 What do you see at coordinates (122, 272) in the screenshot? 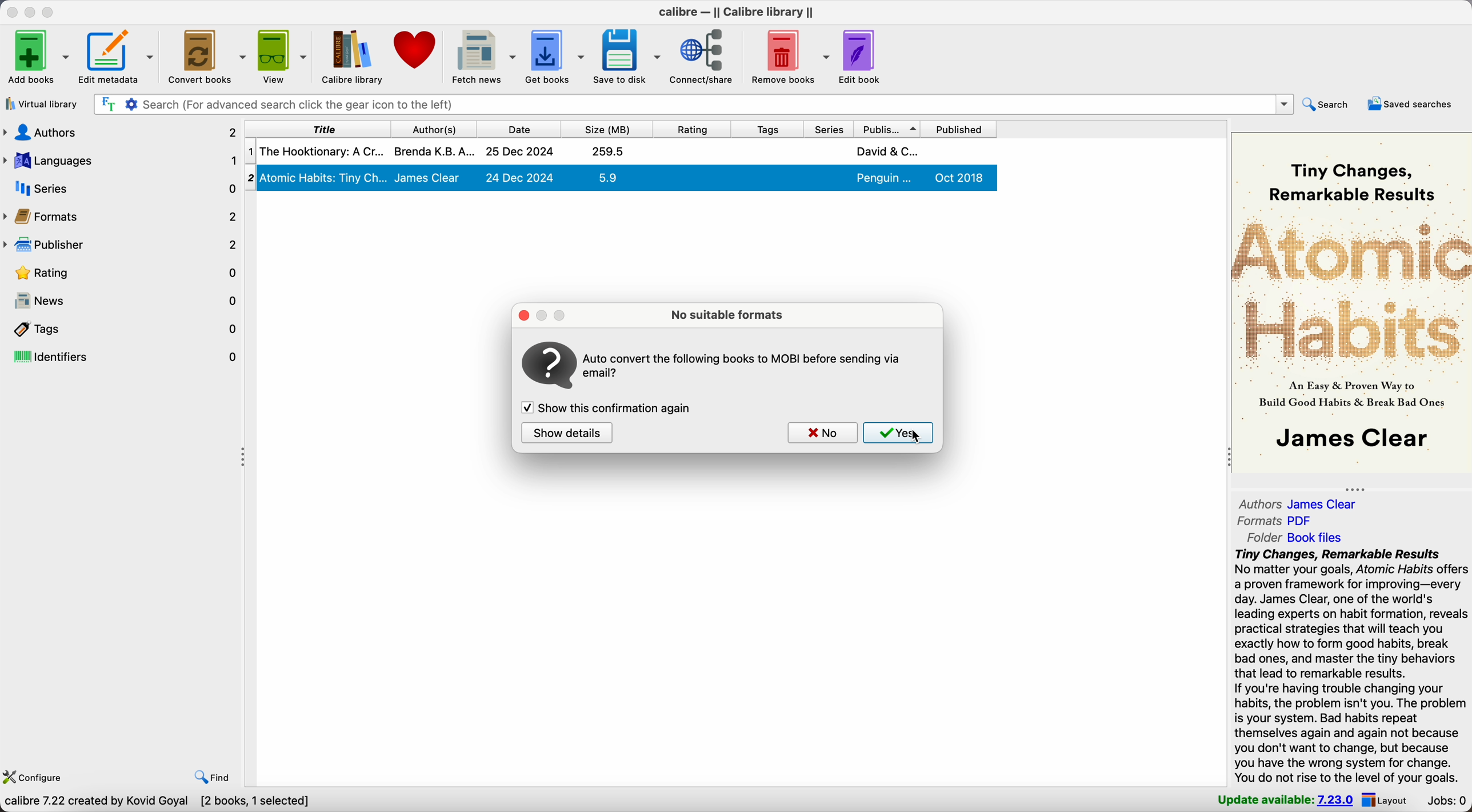
I see `rating` at bounding box center [122, 272].